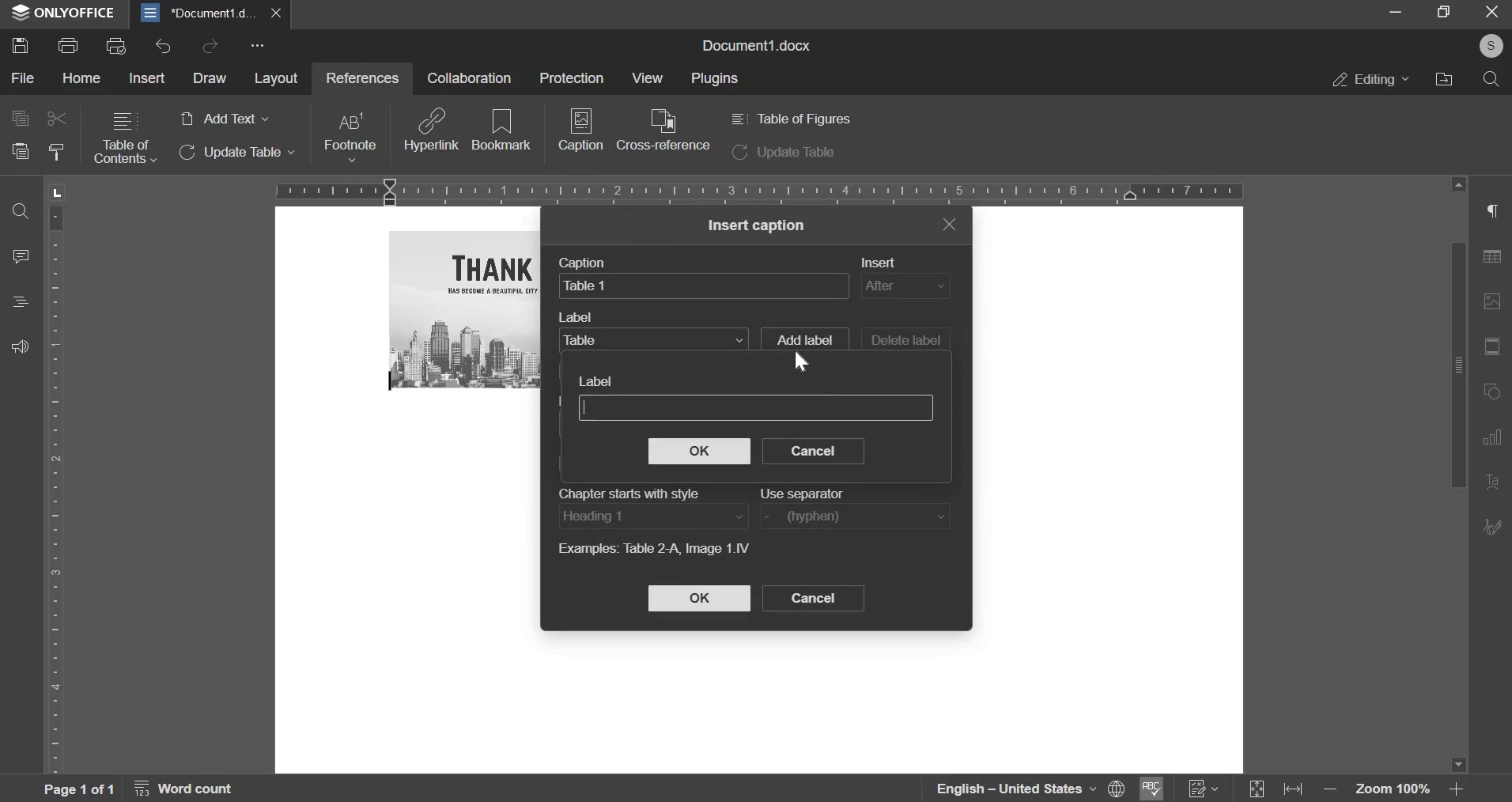 The height and width of the screenshot is (802, 1512). I want to click on comment, so click(22, 255).